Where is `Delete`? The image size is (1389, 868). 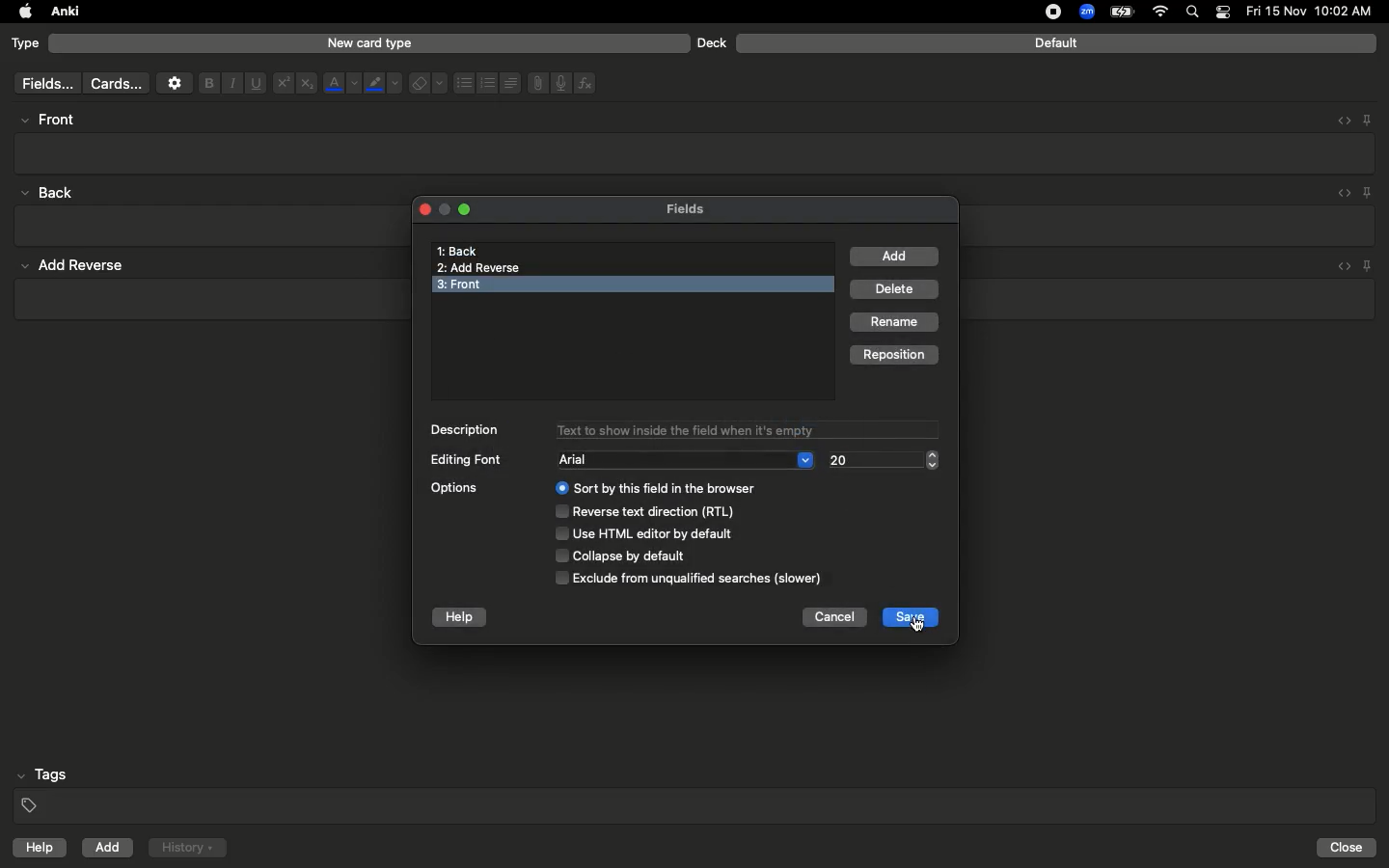 Delete is located at coordinates (897, 290).